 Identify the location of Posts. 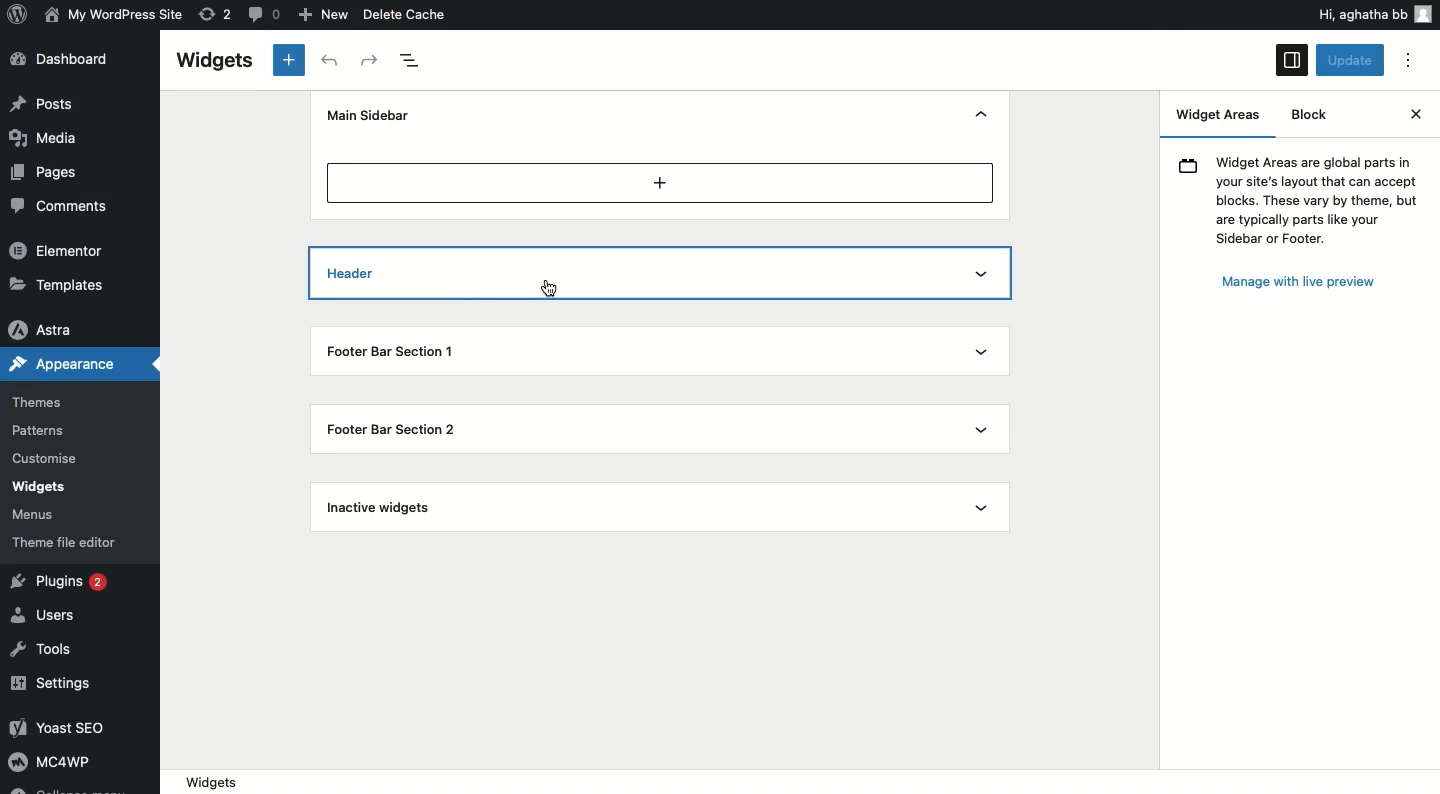
(44, 103).